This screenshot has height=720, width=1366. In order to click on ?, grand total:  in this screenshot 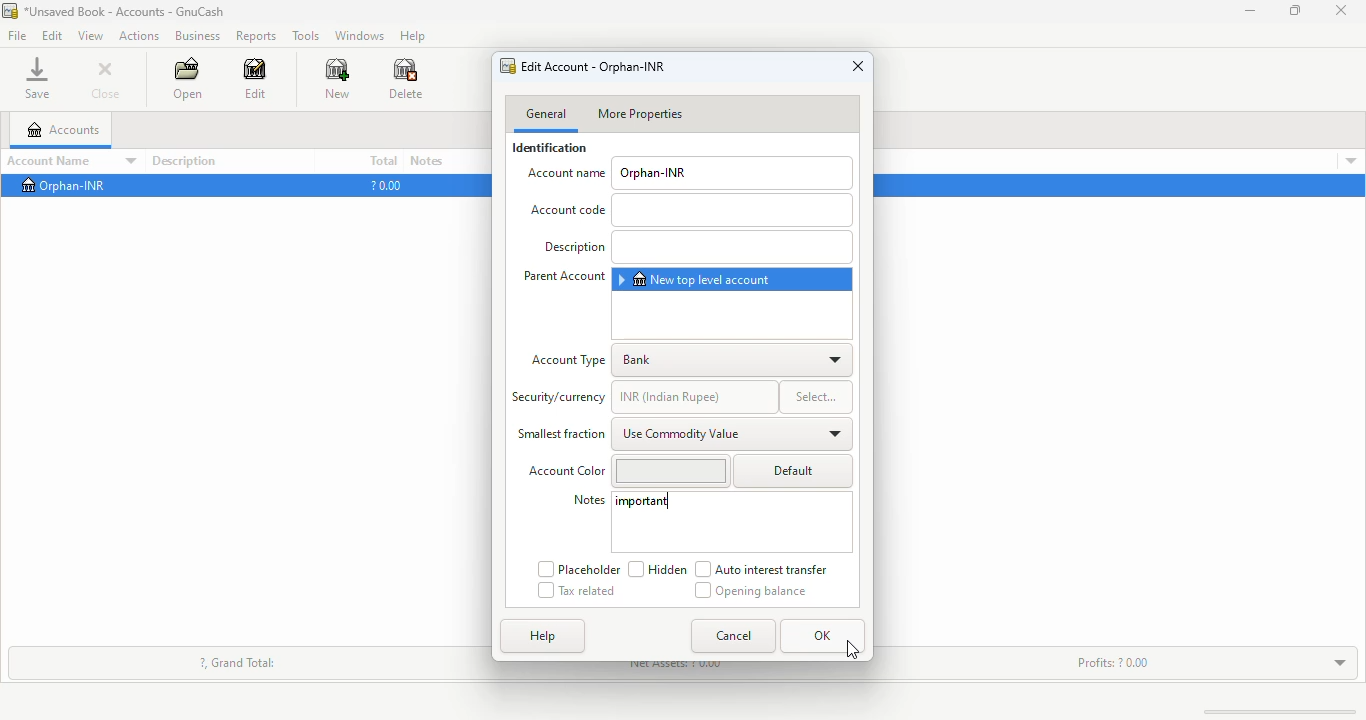, I will do `click(238, 663)`.